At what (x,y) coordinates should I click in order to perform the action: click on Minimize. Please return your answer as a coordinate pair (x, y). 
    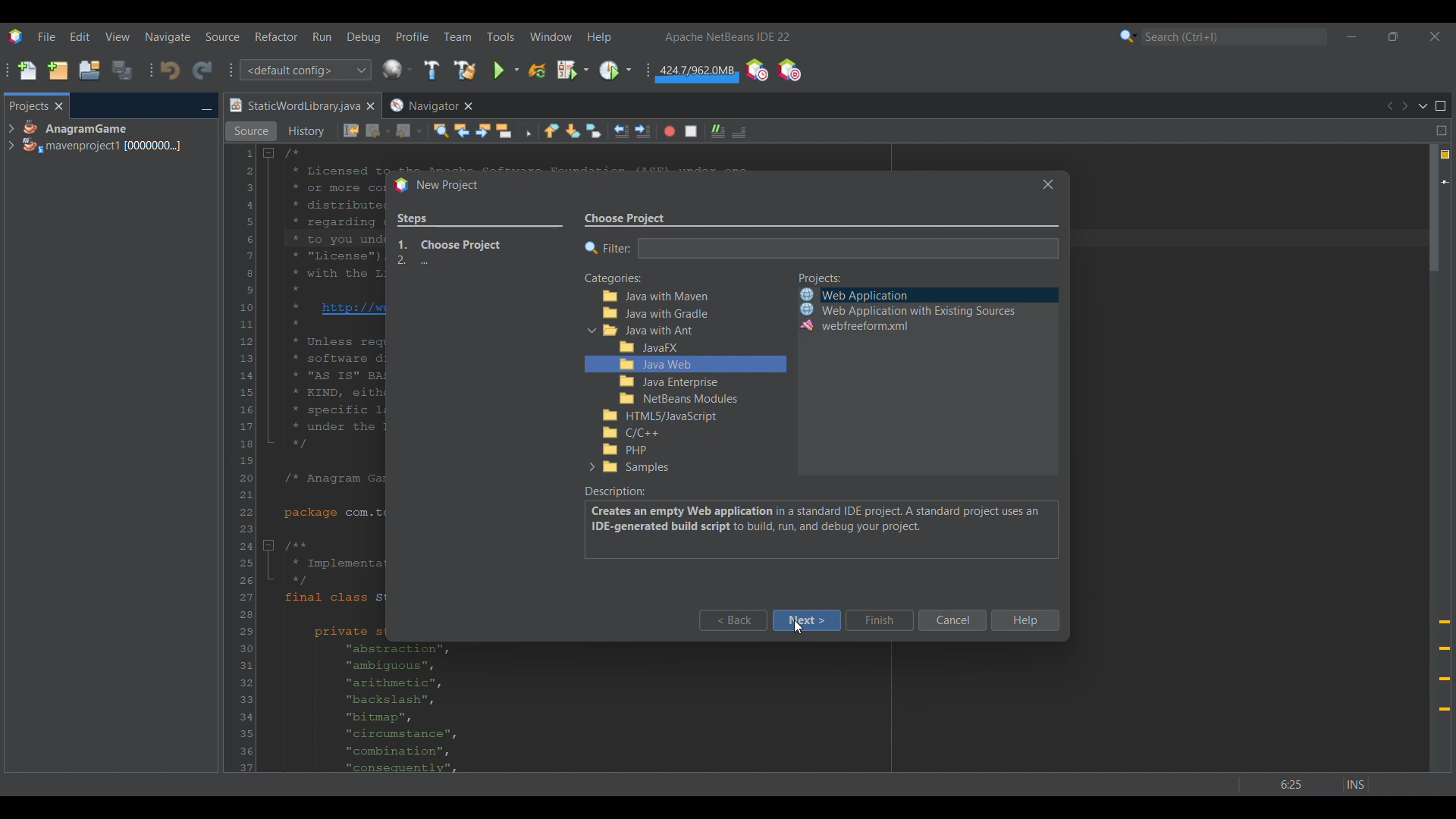
    Looking at the image, I should click on (1351, 36).